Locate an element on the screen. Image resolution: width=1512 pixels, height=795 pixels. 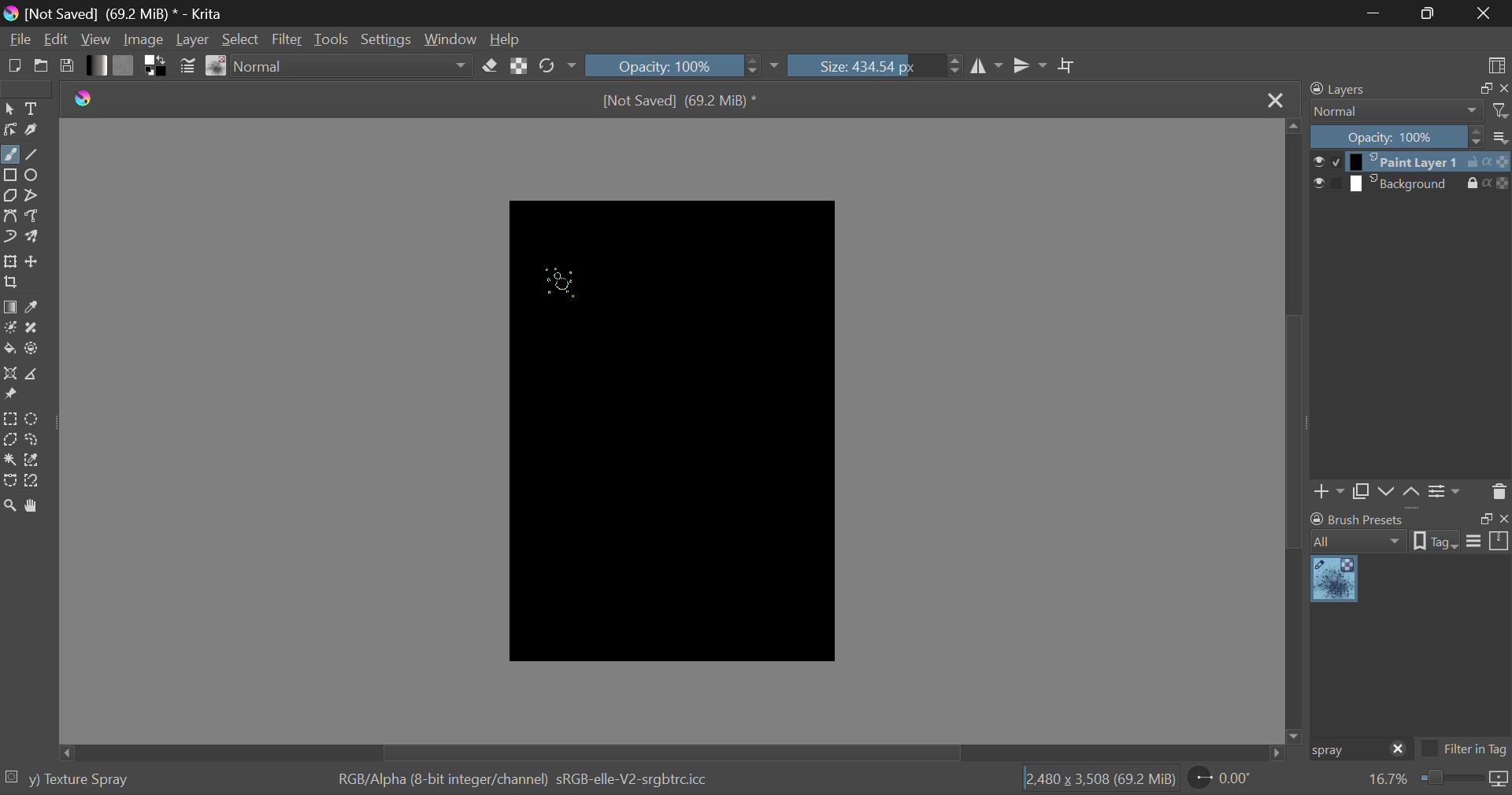
Settings is located at coordinates (391, 38).